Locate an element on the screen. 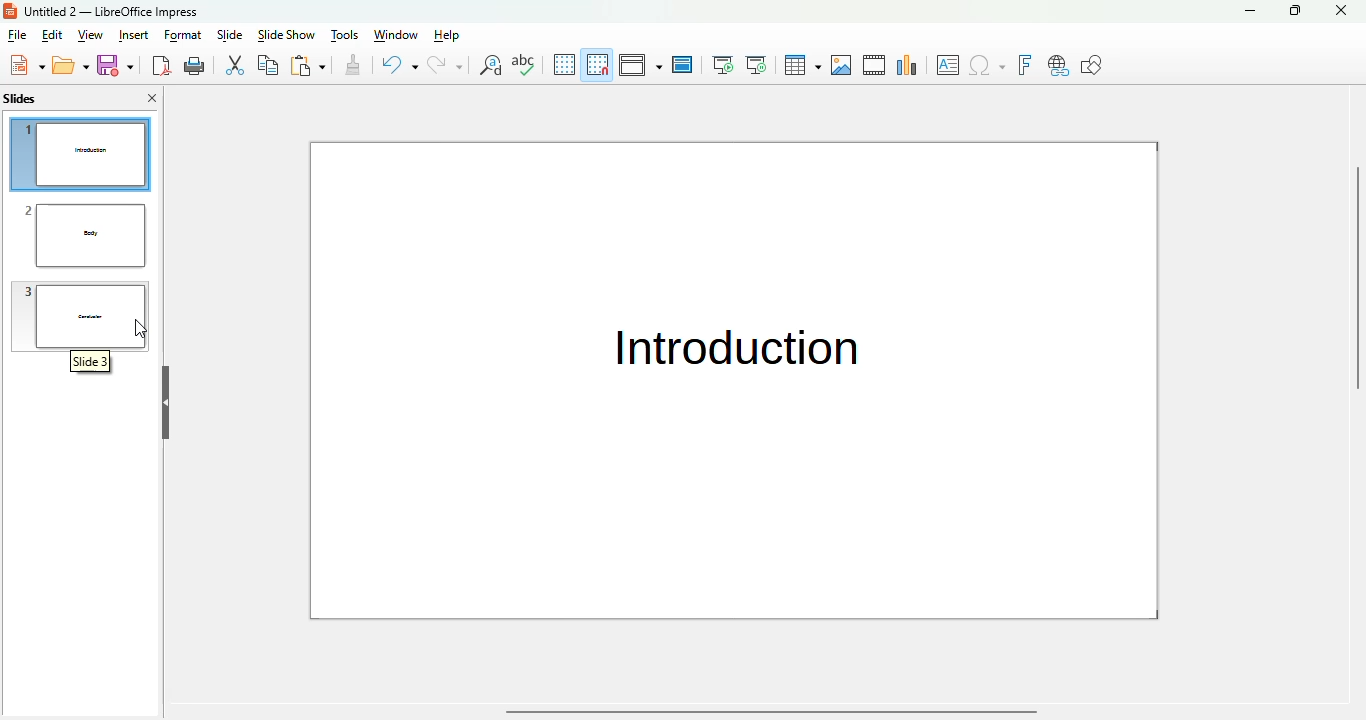  minimize is located at coordinates (1249, 10).